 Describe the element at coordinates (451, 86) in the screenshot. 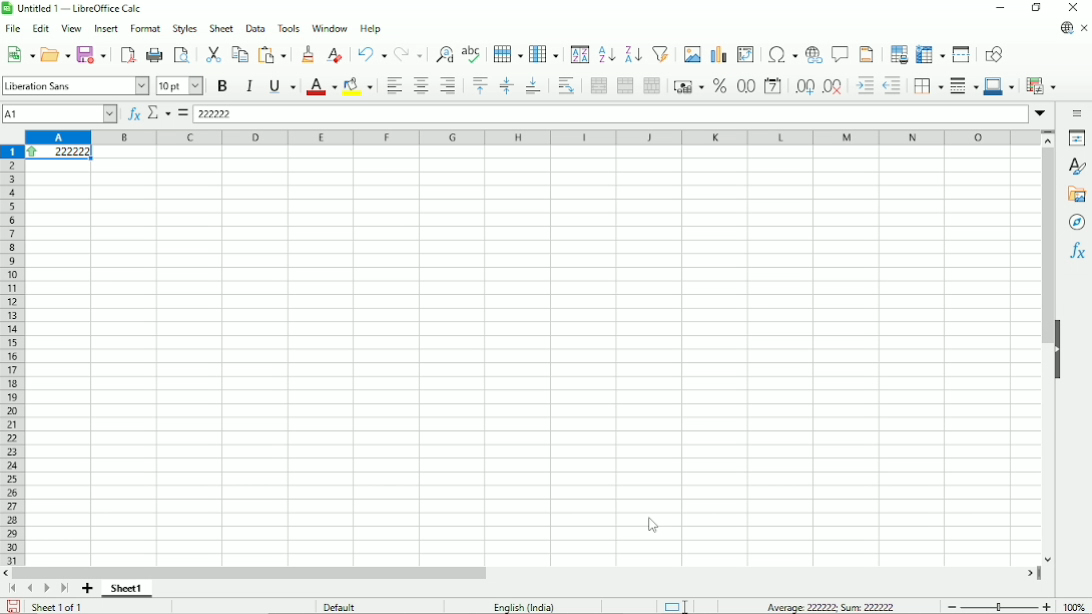

I see `Align right` at that location.